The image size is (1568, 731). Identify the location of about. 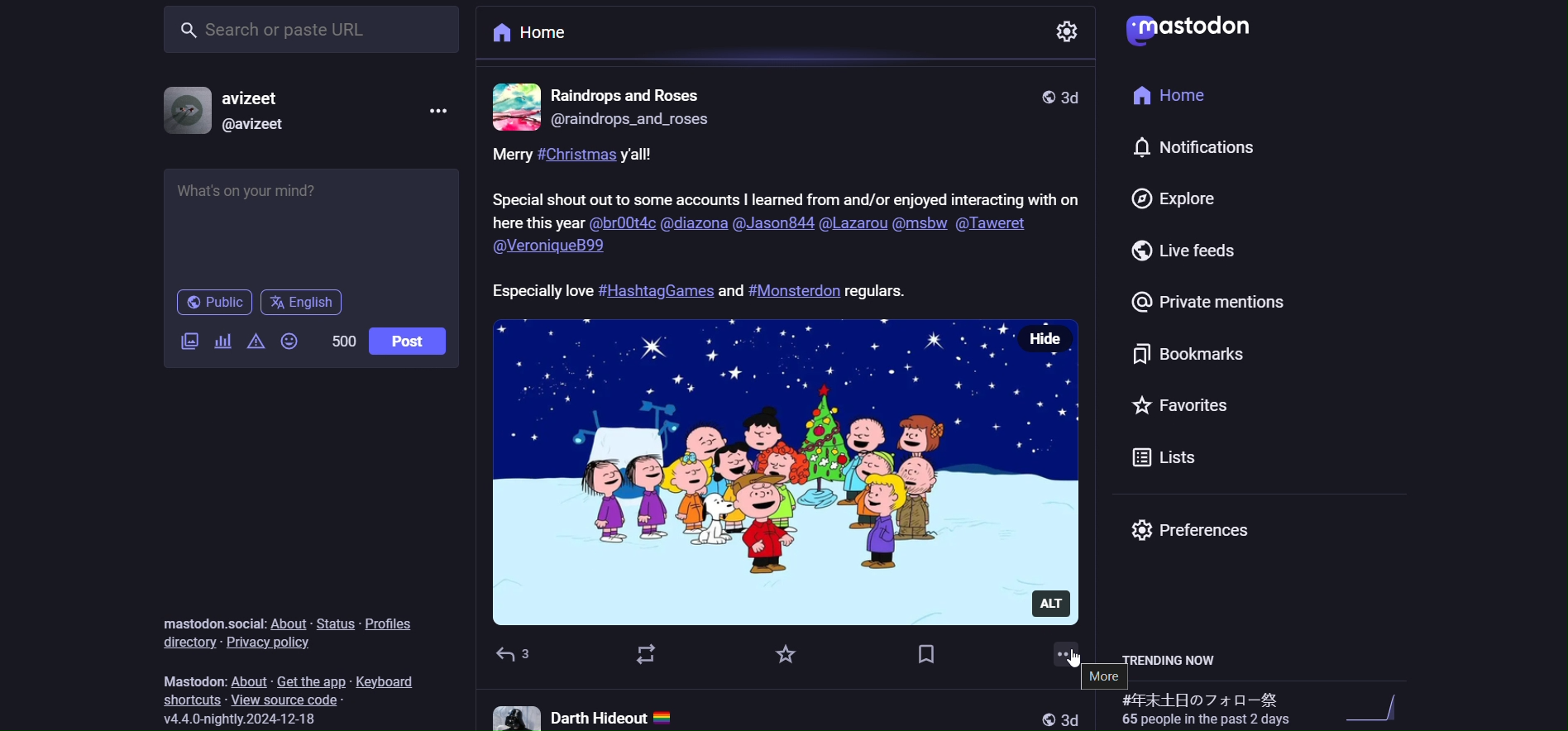
(286, 622).